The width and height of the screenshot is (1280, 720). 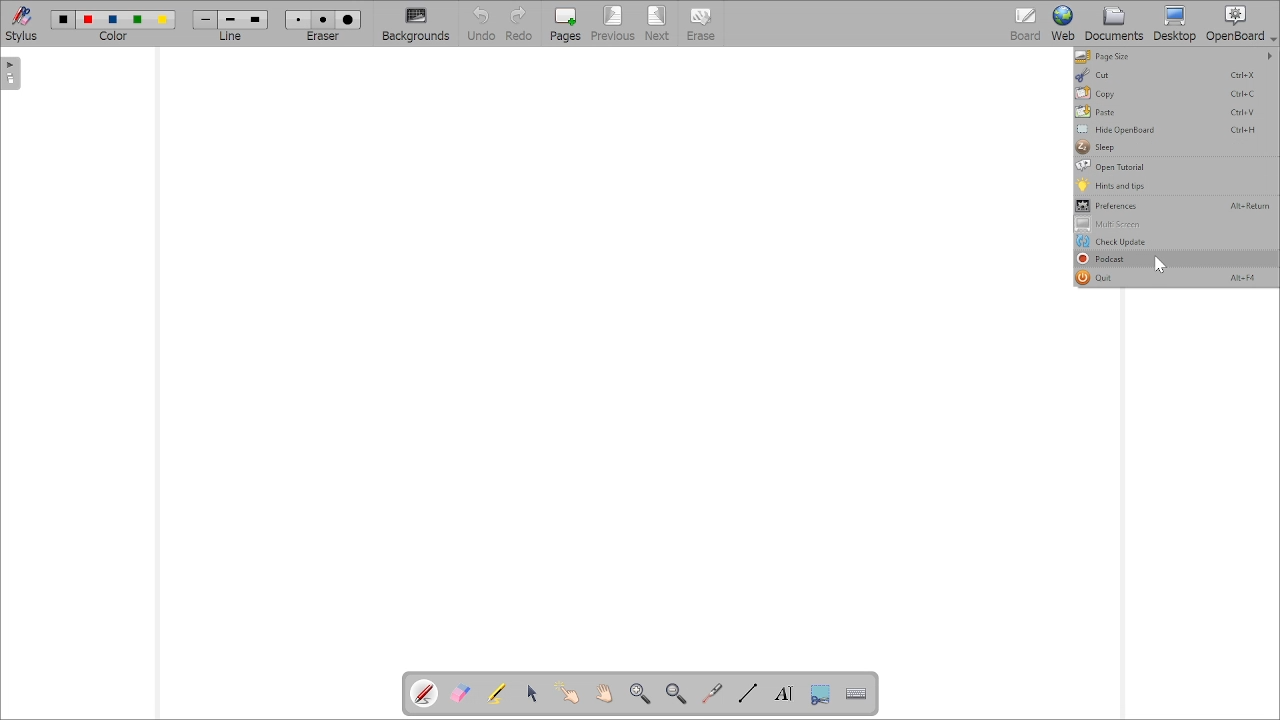 I want to click on page size, so click(x=1176, y=57).